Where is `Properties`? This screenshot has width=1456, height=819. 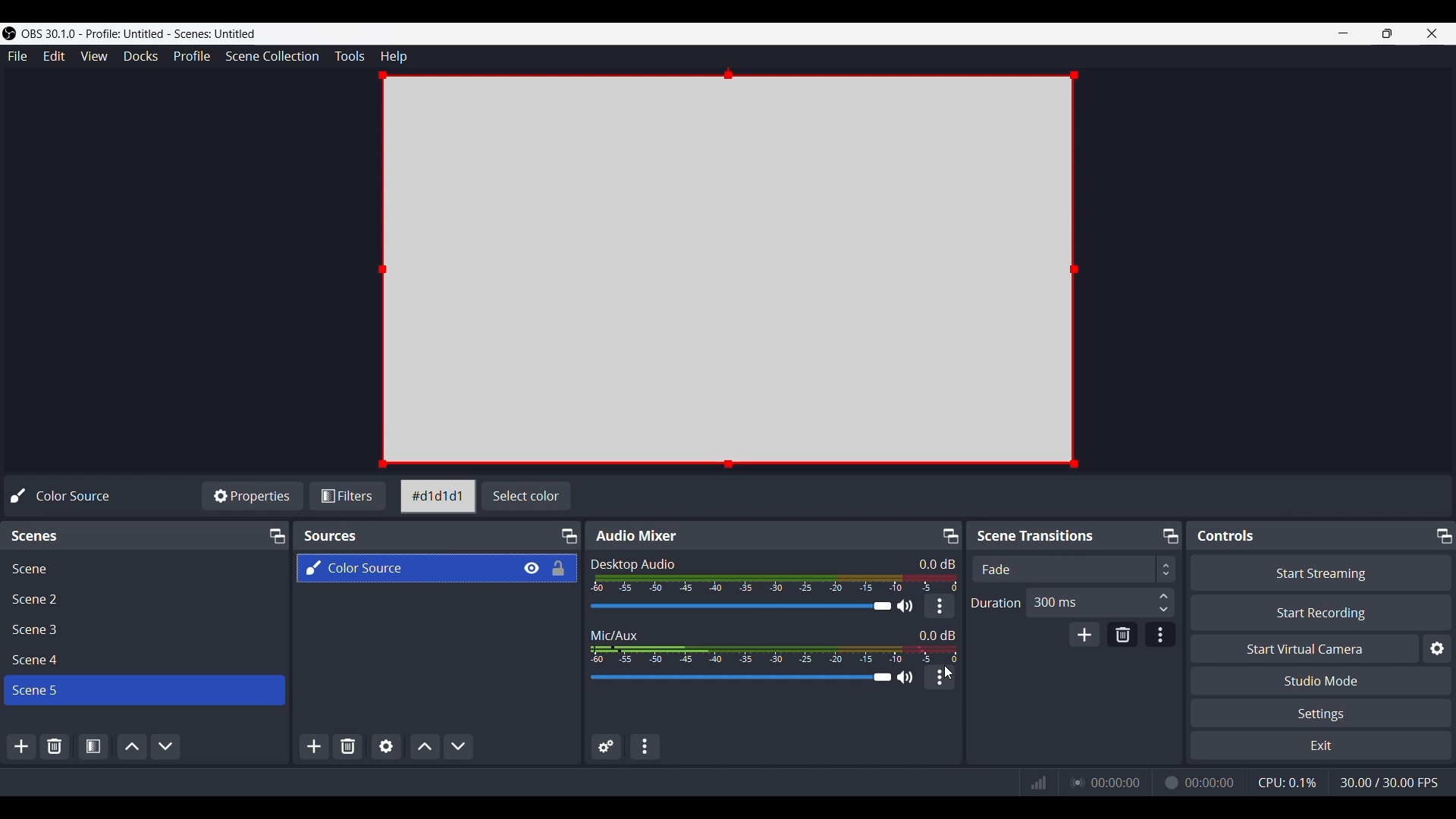 Properties is located at coordinates (253, 495).